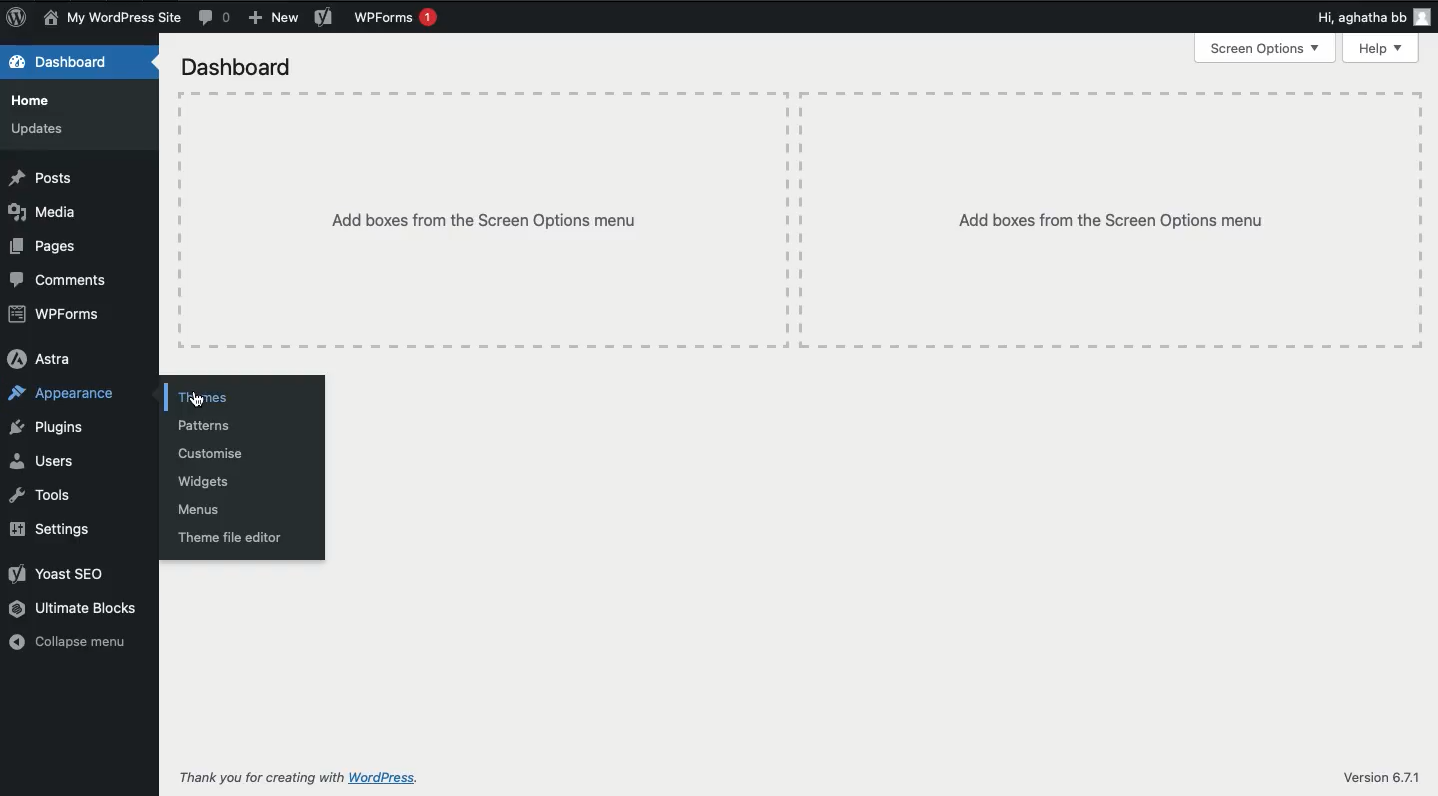 The width and height of the screenshot is (1438, 796). Describe the element at coordinates (207, 426) in the screenshot. I see `Patterns` at that location.